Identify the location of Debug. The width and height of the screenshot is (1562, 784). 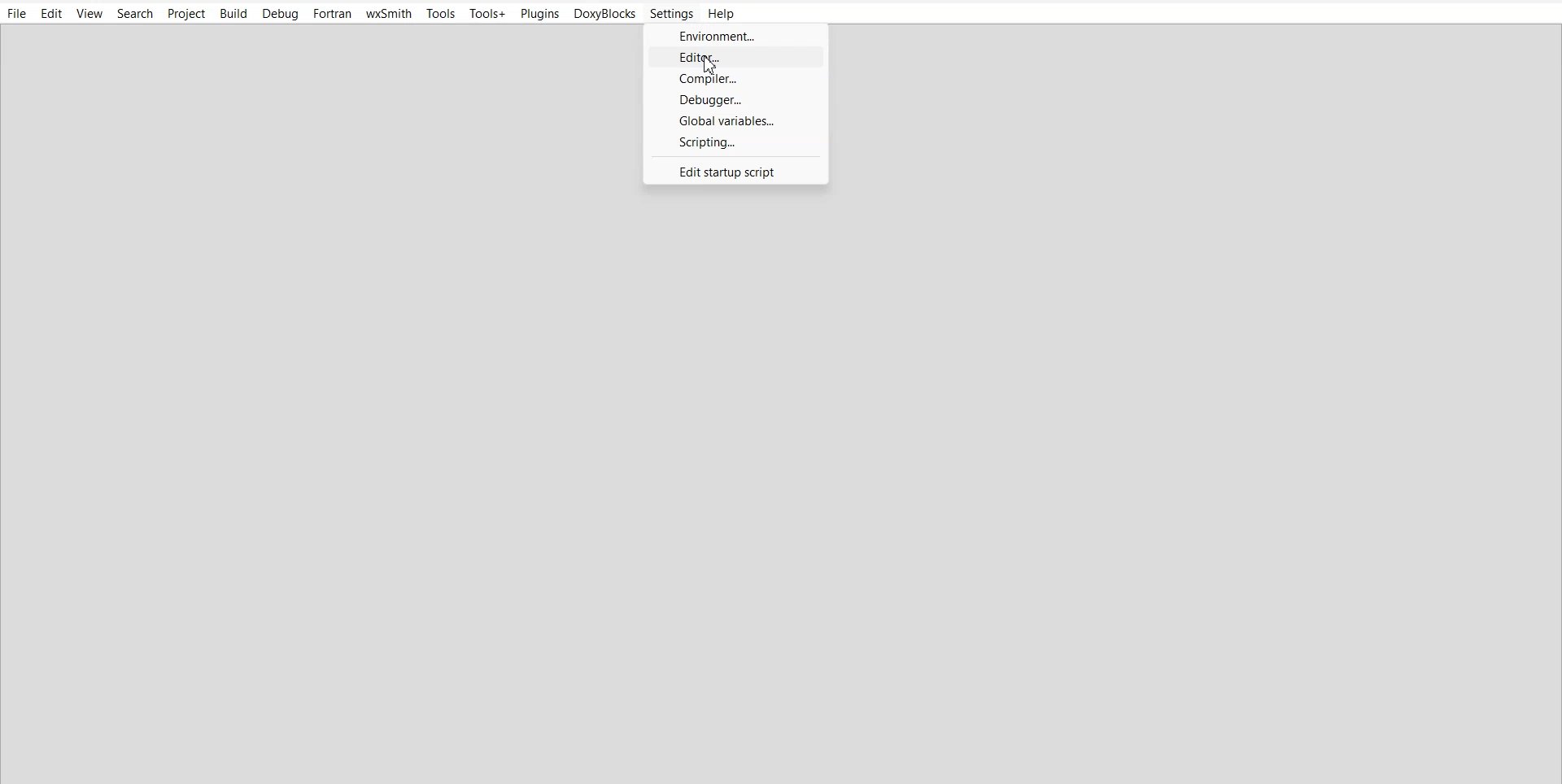
(281, 14).